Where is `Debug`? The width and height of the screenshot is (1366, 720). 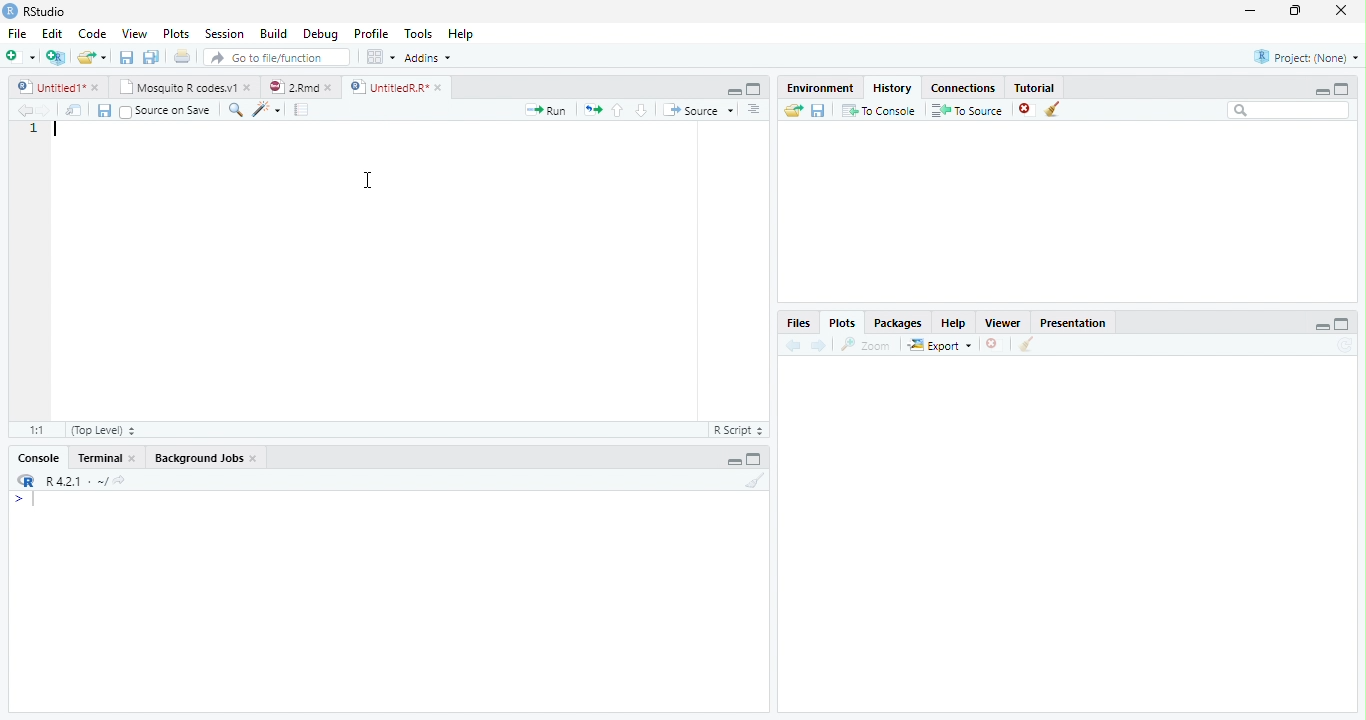 Debug is located at coordinates (321, 35).